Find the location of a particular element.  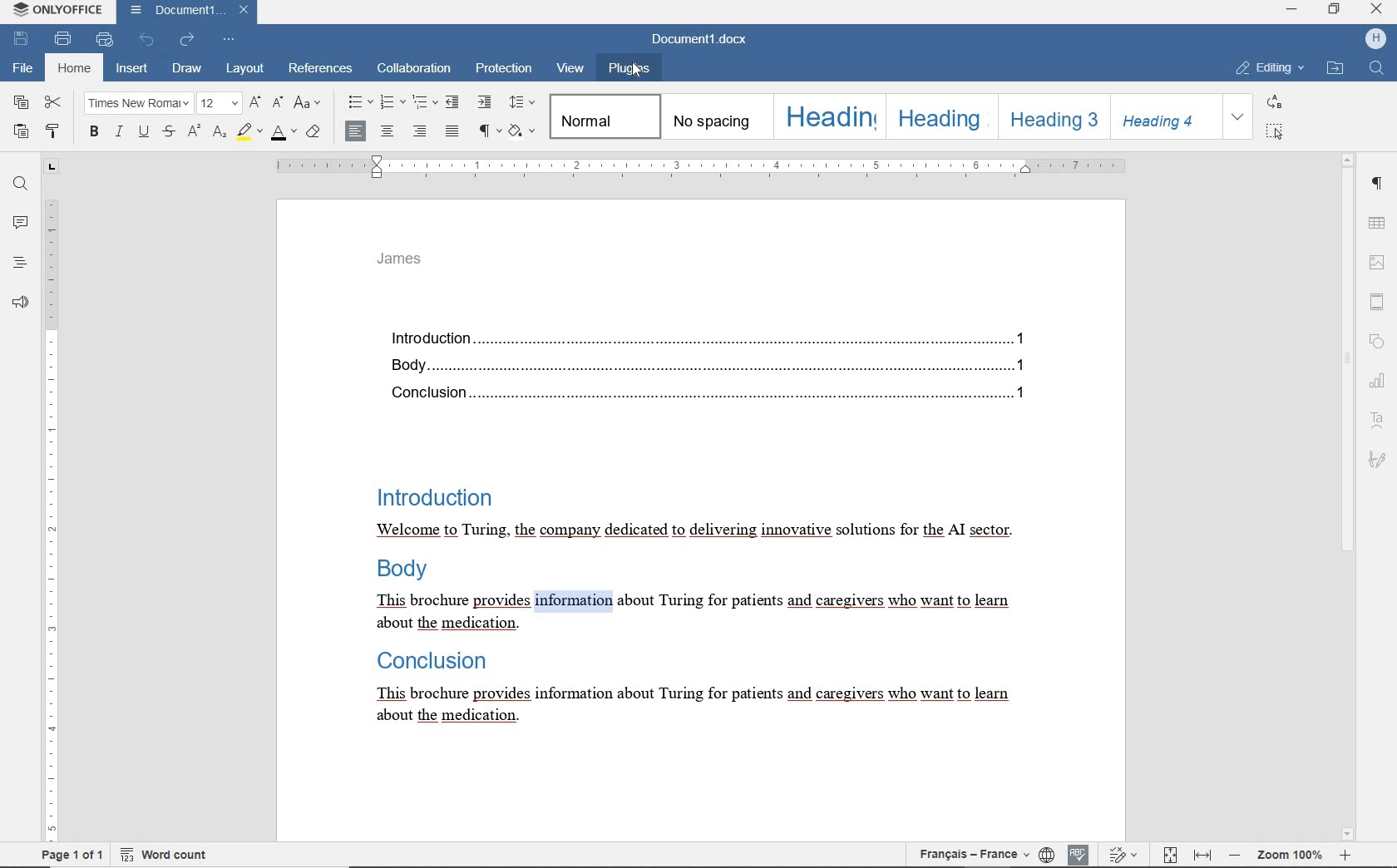

CUT is located at coordinates (54, 103).